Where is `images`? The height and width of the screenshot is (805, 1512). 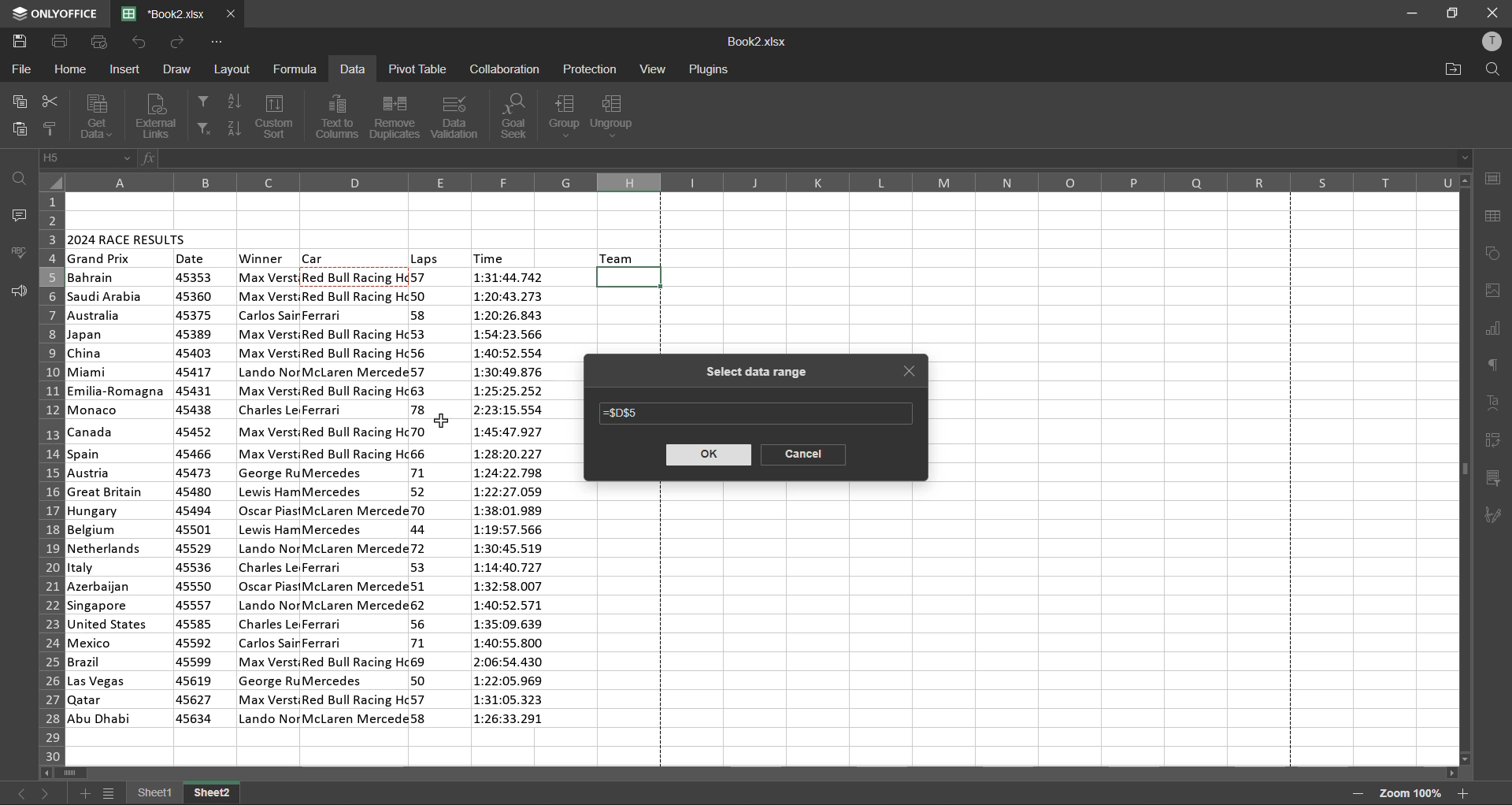 images is located at coordinates (1494, 291).